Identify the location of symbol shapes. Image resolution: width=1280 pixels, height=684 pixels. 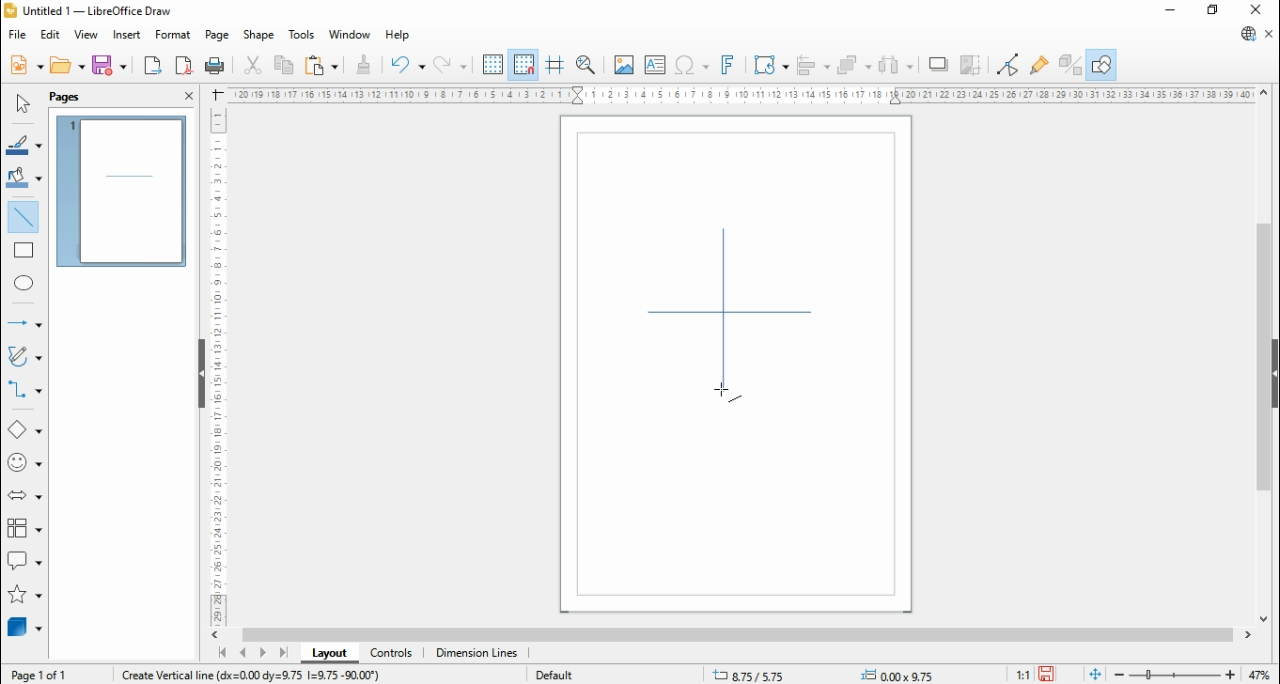
(24, 463).